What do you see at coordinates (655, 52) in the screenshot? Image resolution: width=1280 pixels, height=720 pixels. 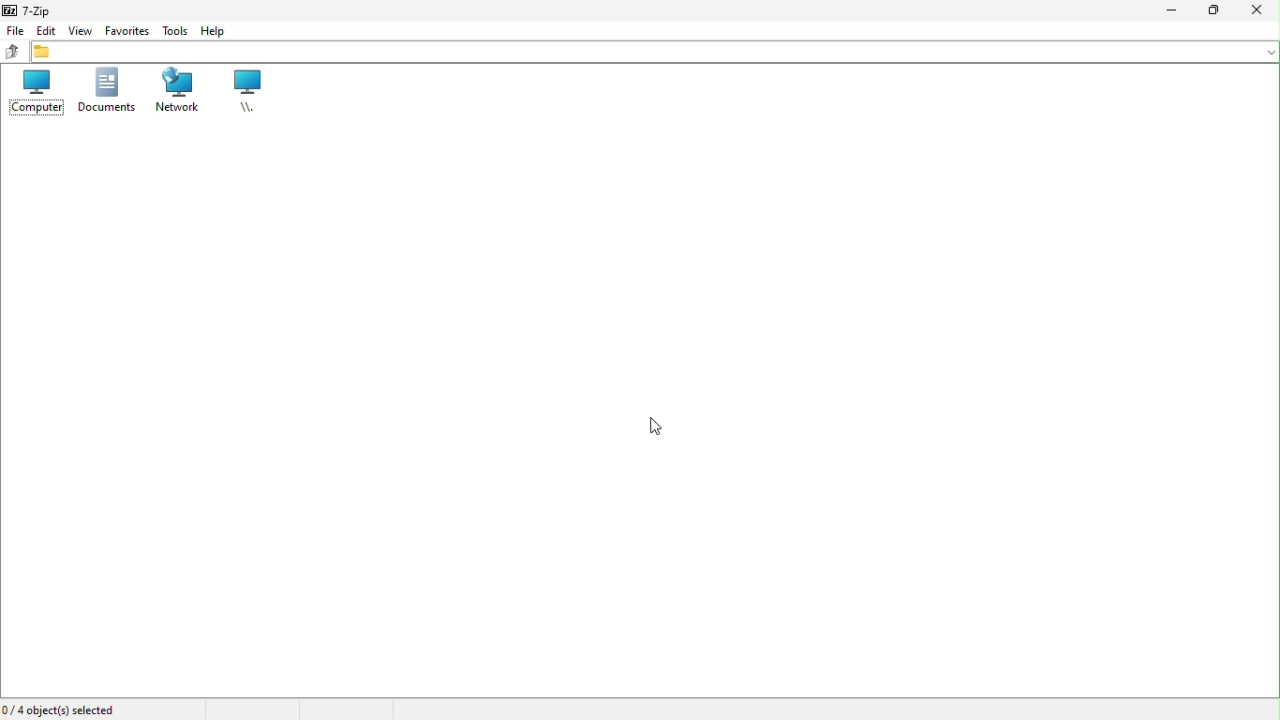 I see `File address bar` at bounding box center [655, 52].